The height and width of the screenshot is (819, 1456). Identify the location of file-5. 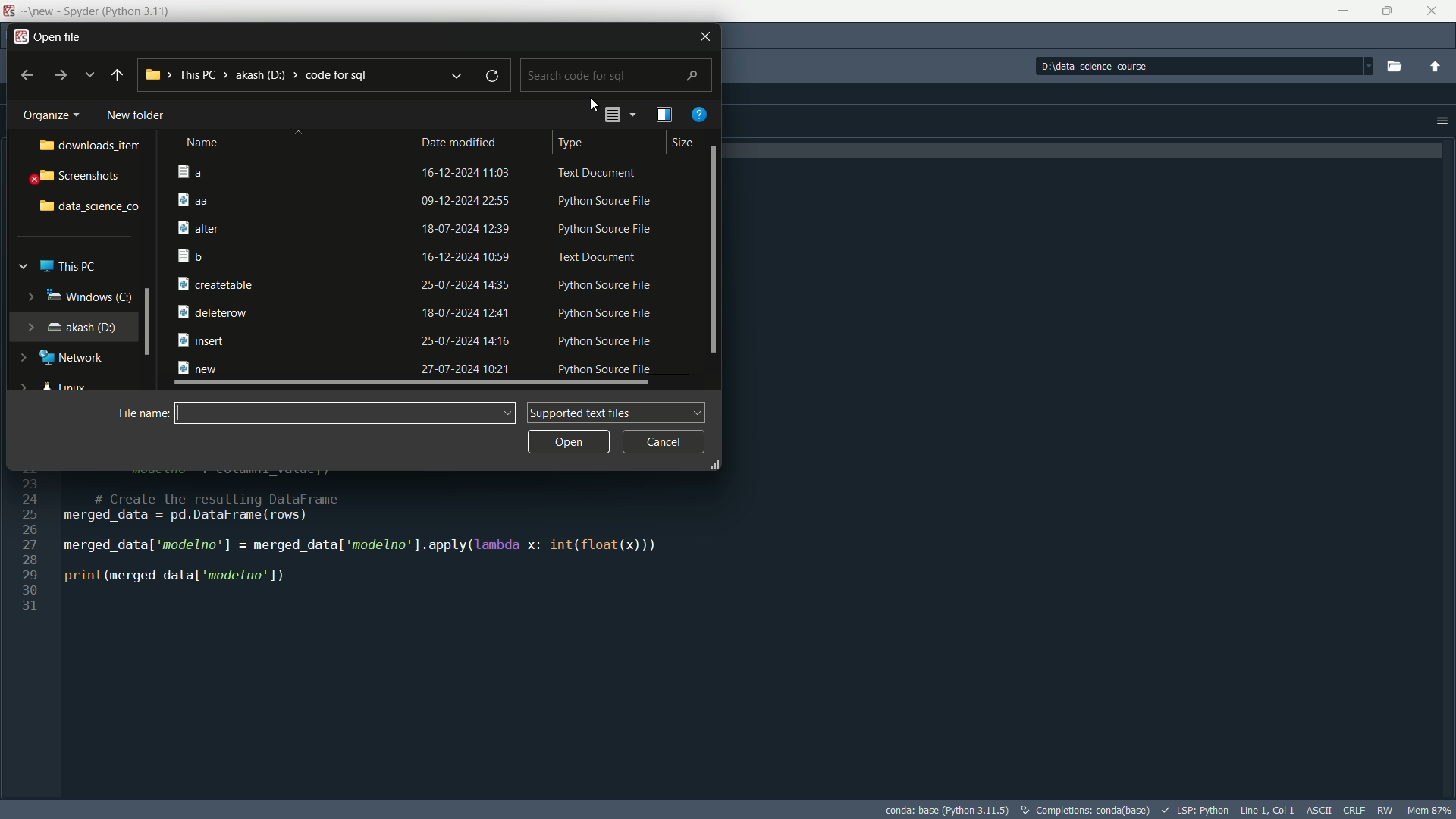
(415, 282).